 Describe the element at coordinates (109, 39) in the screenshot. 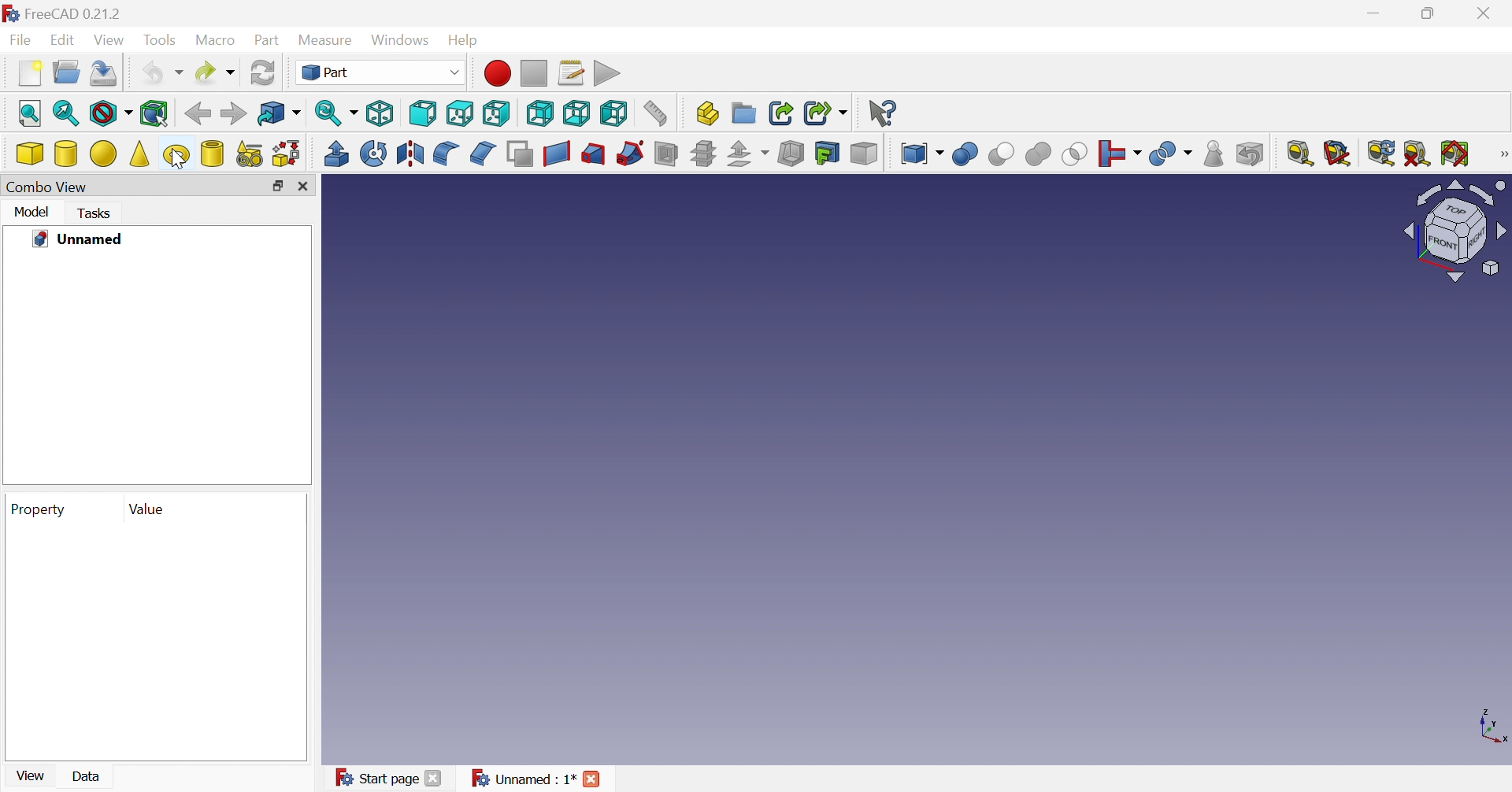

I see `View` at that location.